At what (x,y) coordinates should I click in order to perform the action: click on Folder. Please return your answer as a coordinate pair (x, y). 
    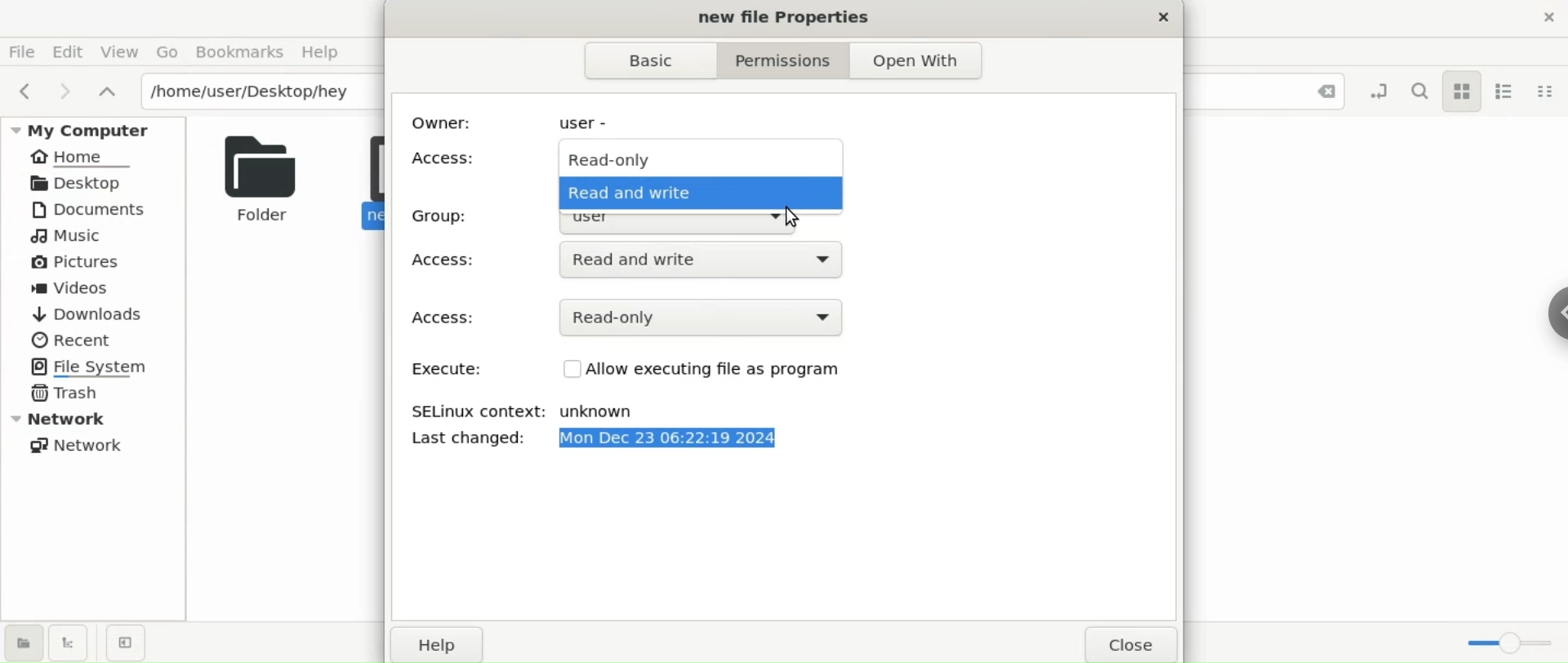
    Looking at the image, I should click on (256, 177).